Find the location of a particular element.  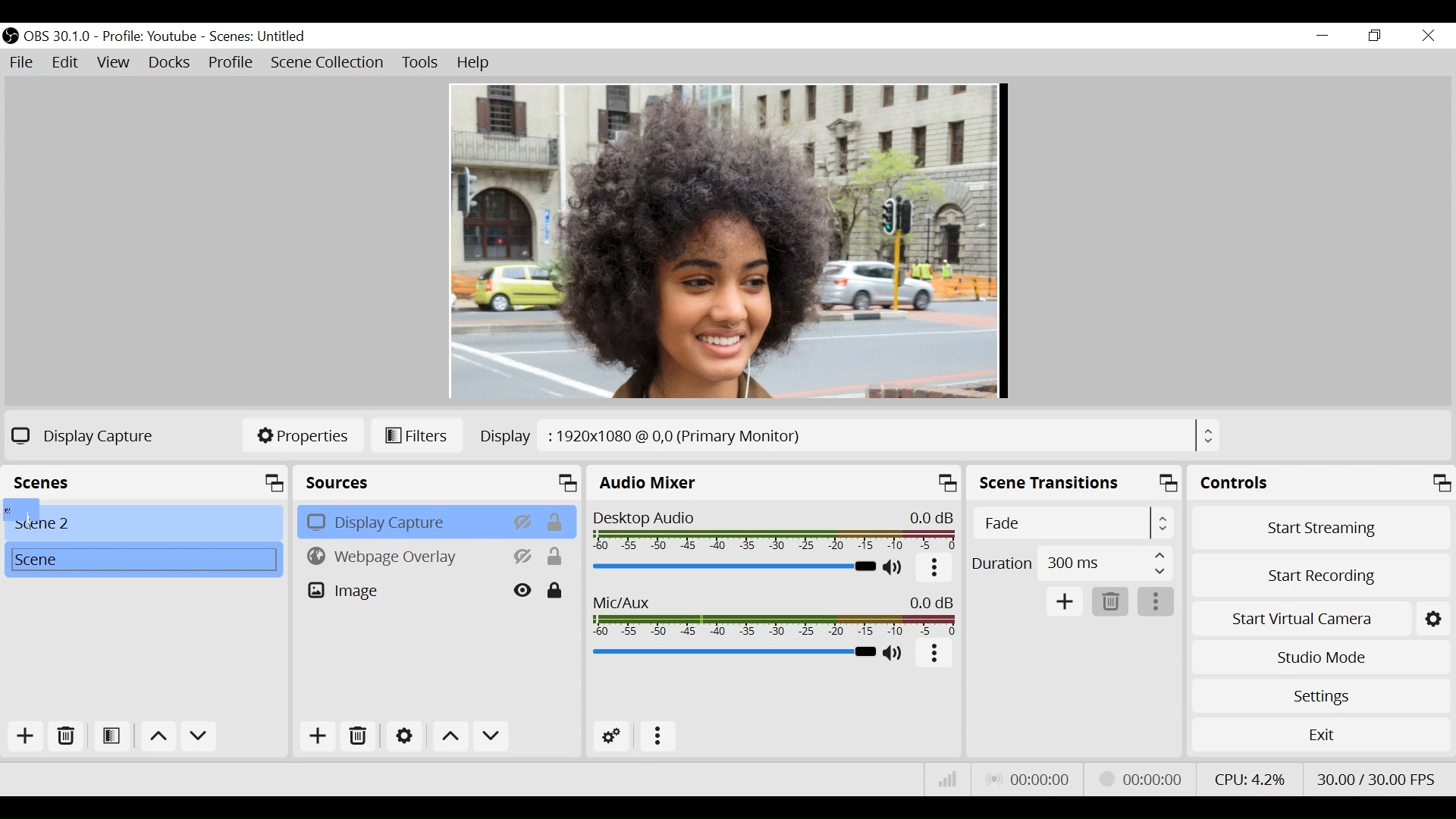

Sources is located at coordinates (439, 482).